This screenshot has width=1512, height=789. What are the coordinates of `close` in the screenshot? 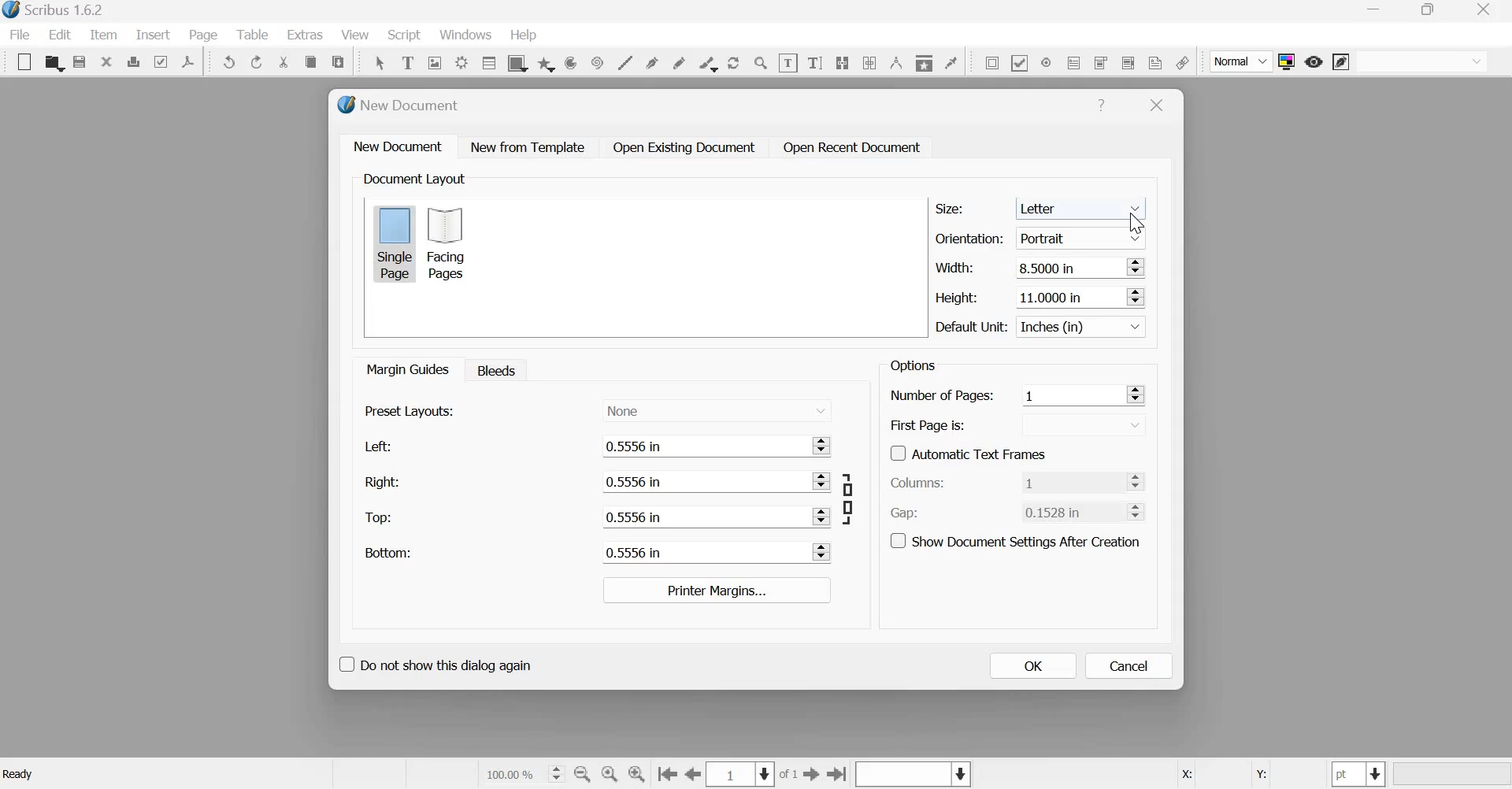 It's located at (106, 61).